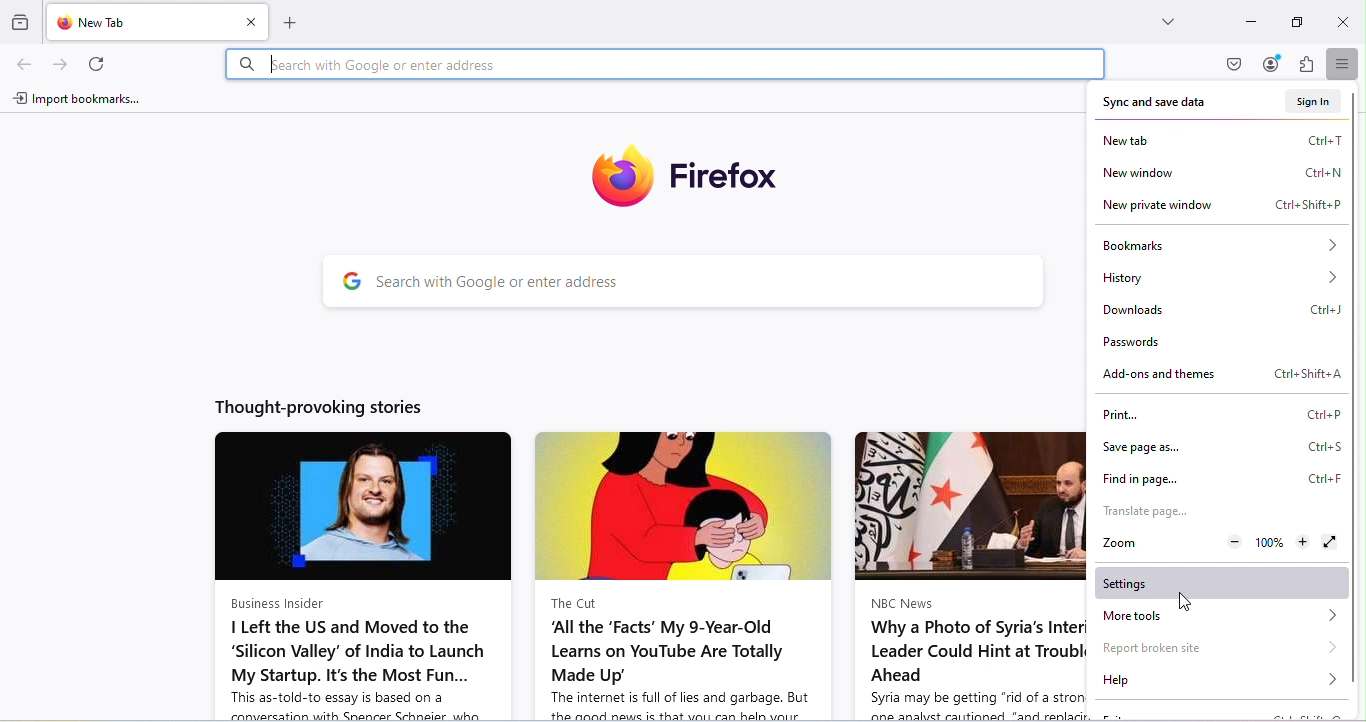 This screenshot has width=1366, height=722. What do you see at coordinates (1182, 602) in the screenshot?
I see `cursor` at bounding box center [1182, 602].